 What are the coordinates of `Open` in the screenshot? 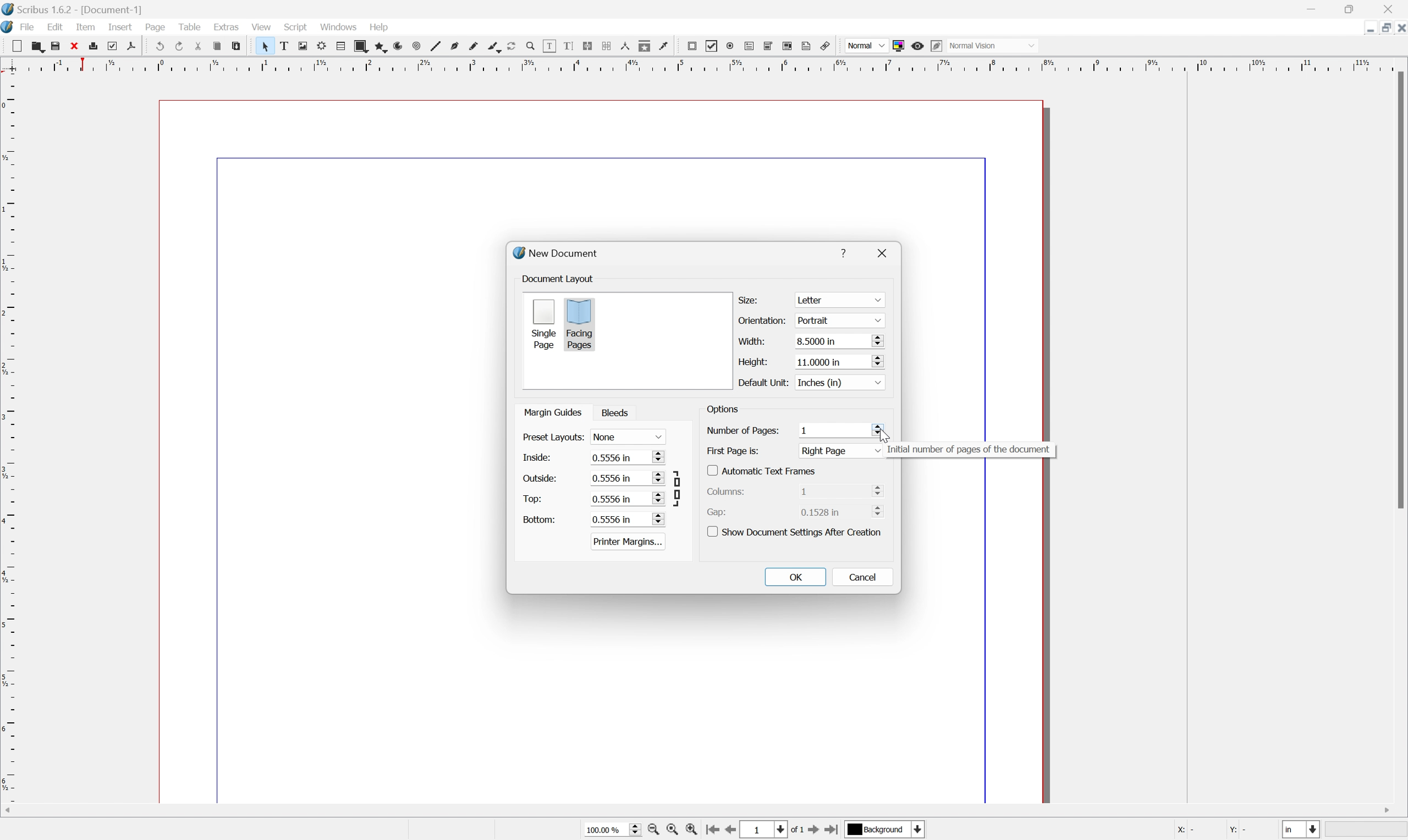 It's located at (38, 47).